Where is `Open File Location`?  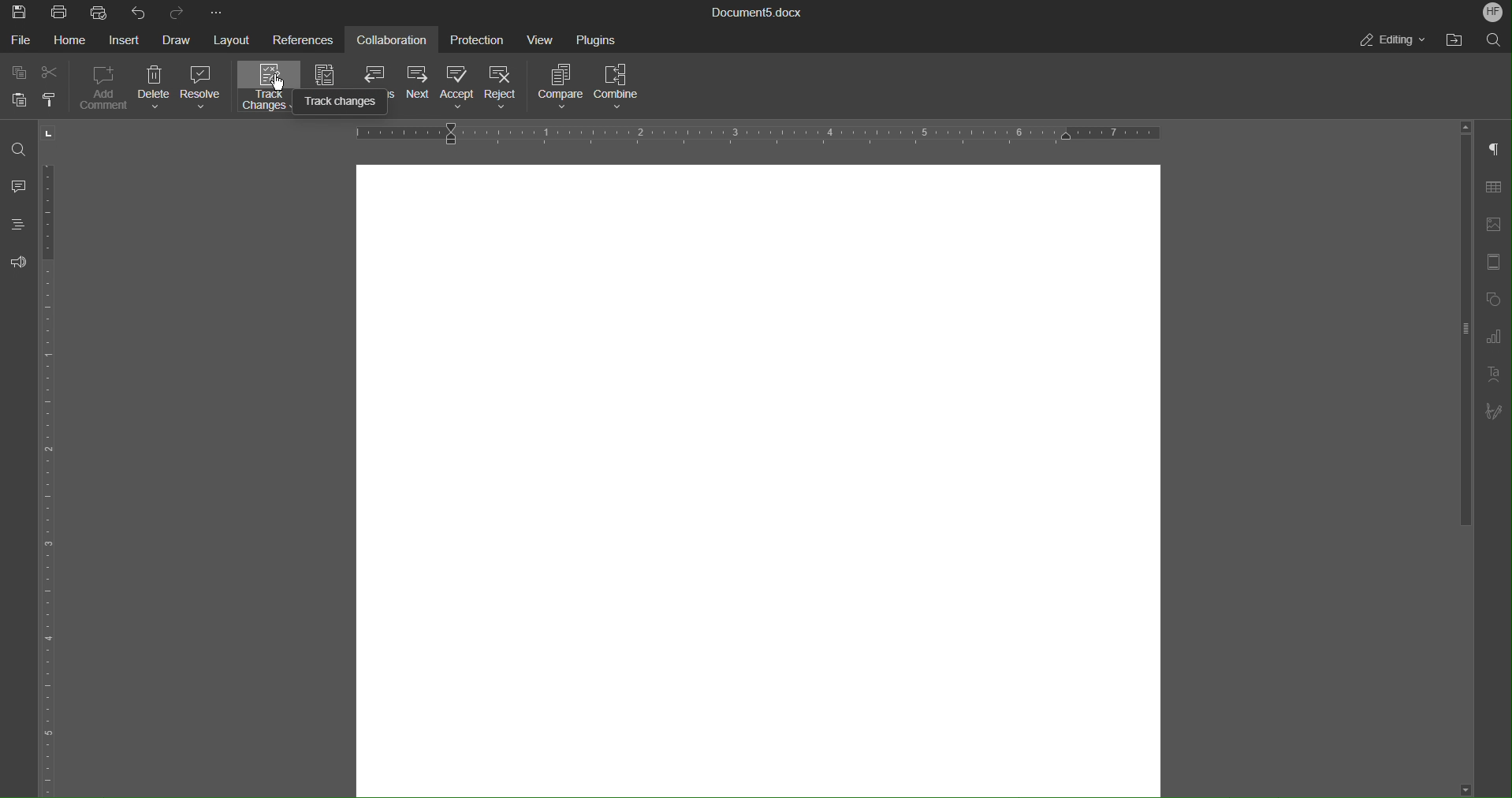 Open File Location is located at coordinates (1448, 40).